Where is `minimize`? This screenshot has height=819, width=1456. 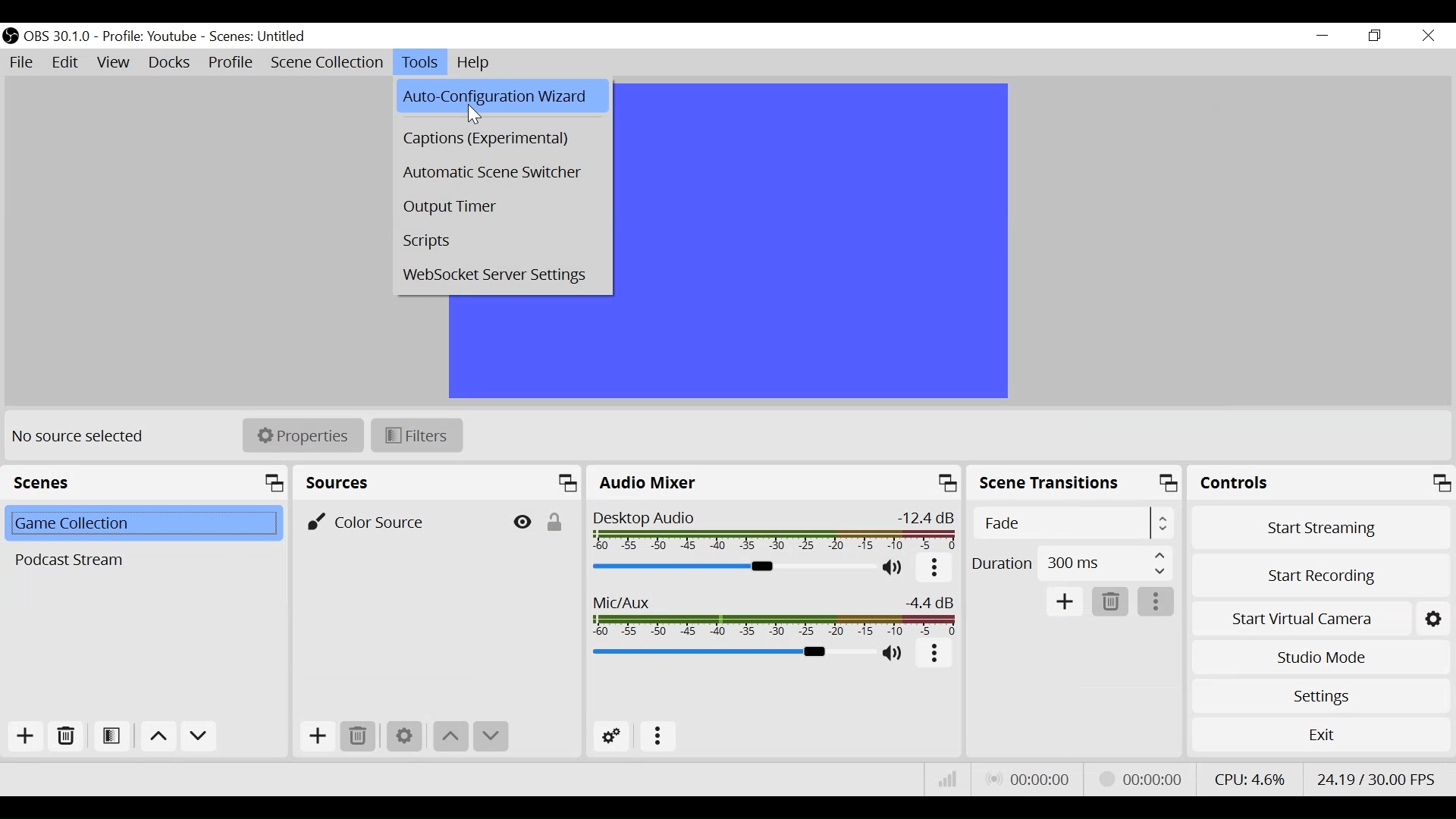
minimize is located at coordinates (1321, 35).